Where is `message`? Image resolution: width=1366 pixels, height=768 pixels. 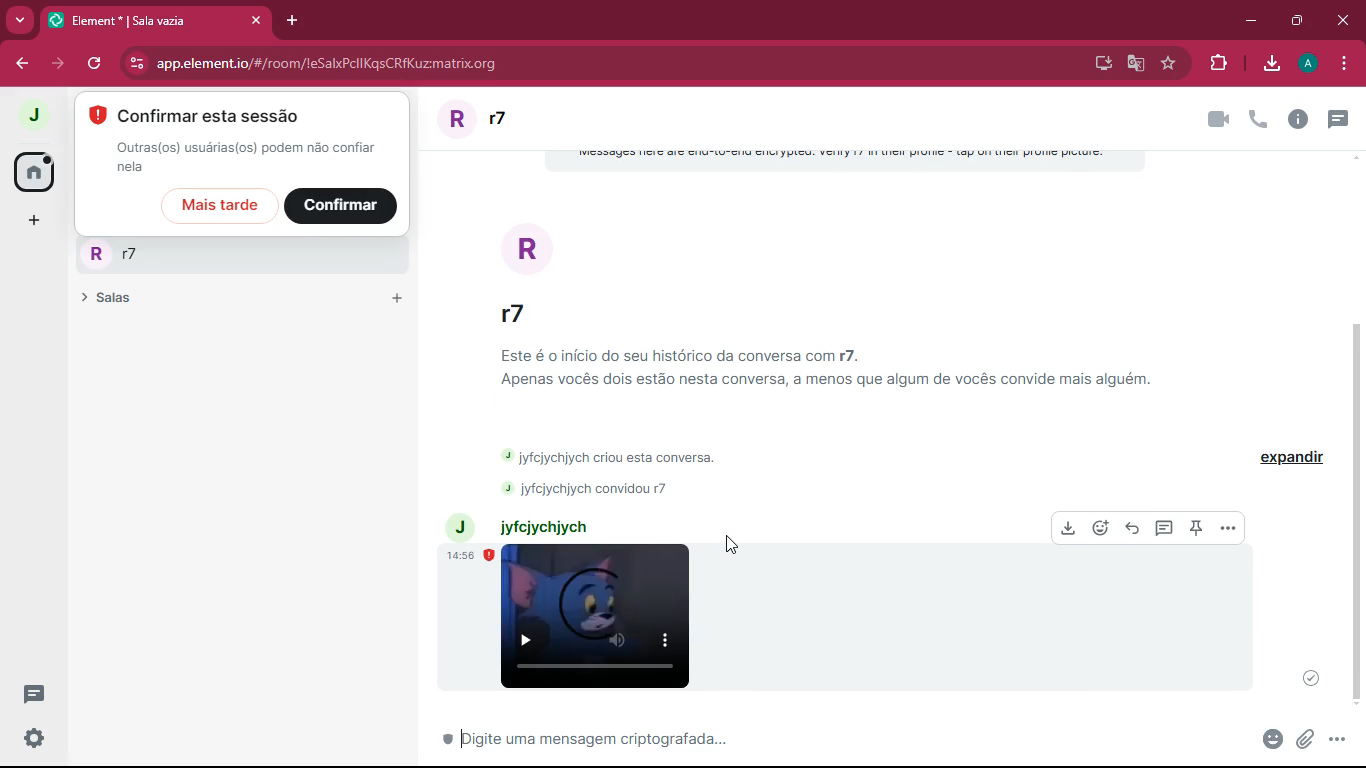 message is located at coordinates (1165, 528).